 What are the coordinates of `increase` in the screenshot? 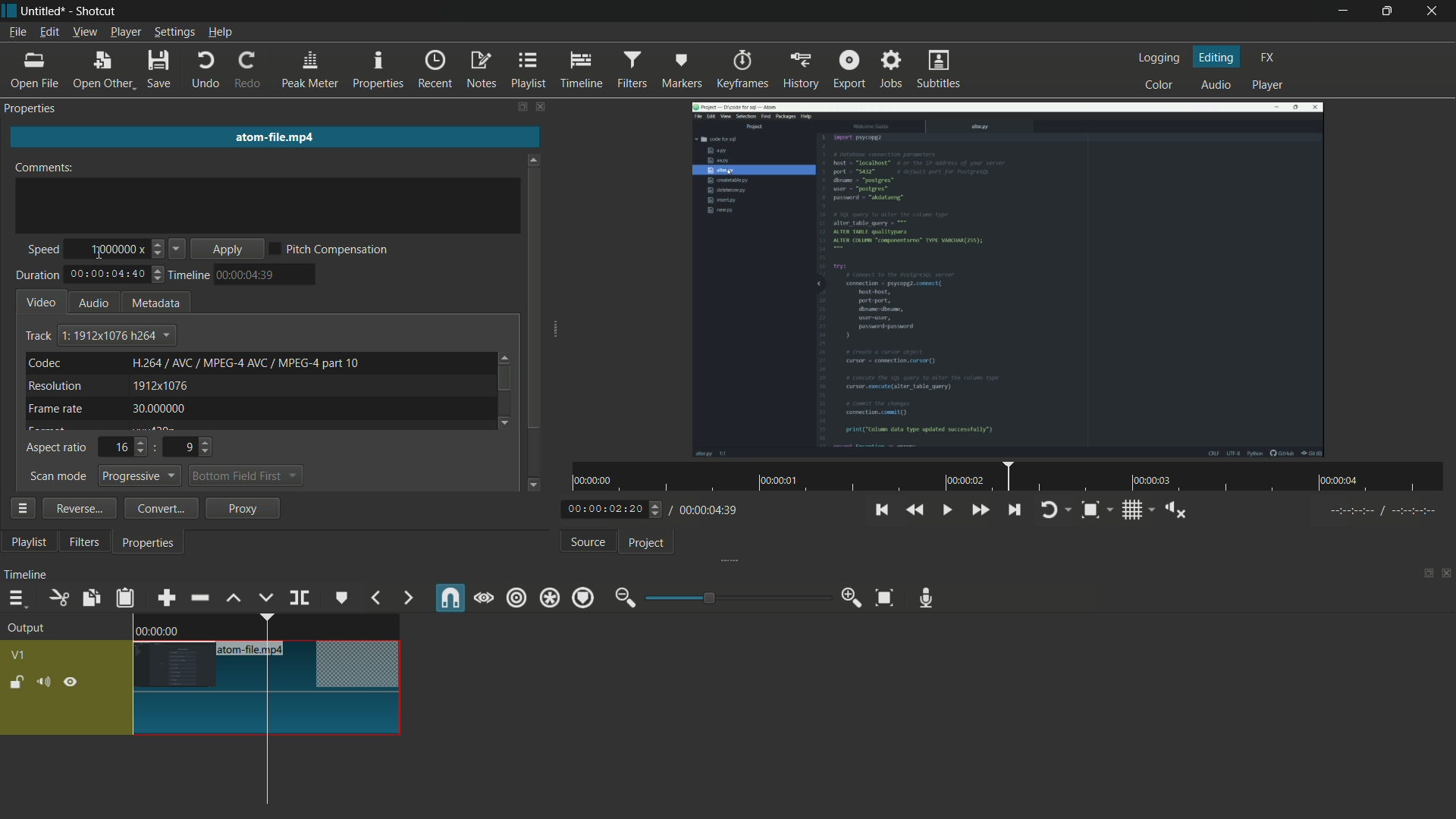 It's located at (160, 243).